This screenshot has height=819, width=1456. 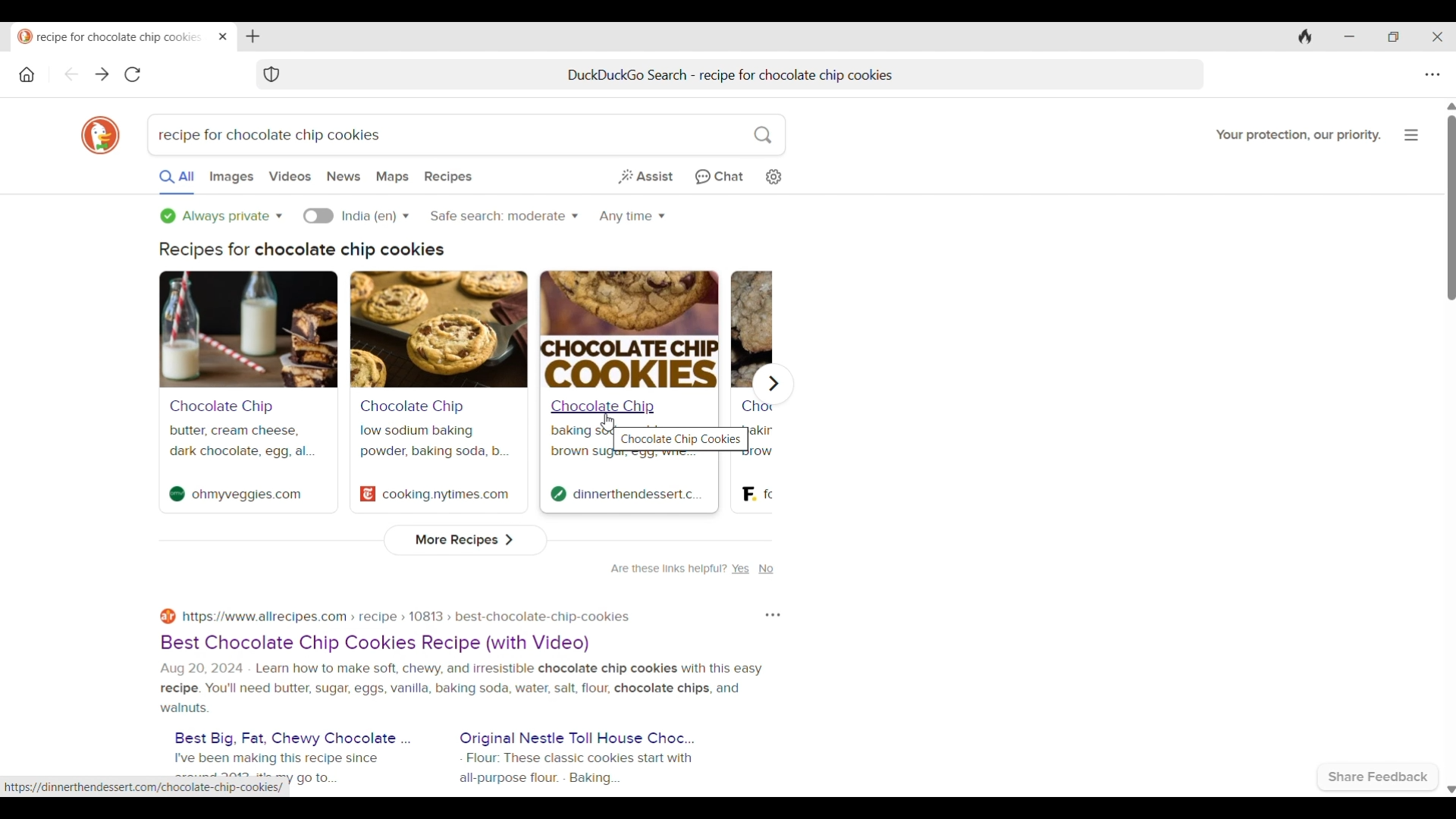 What do you see at coordinates (590, 134) in the screenshot?
I see `Search box` at bounding box center [590, 134].